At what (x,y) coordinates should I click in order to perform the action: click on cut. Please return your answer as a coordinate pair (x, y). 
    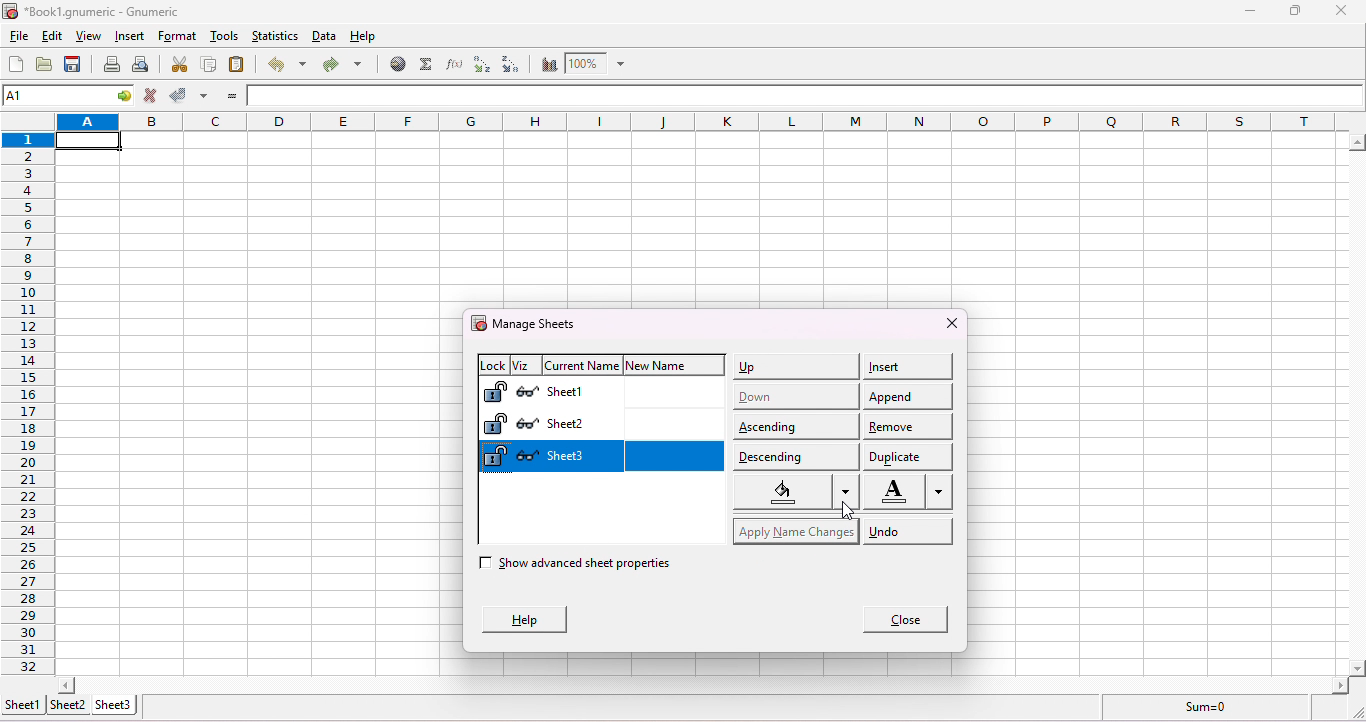
    Looking at the image, I should click on (178, 65).